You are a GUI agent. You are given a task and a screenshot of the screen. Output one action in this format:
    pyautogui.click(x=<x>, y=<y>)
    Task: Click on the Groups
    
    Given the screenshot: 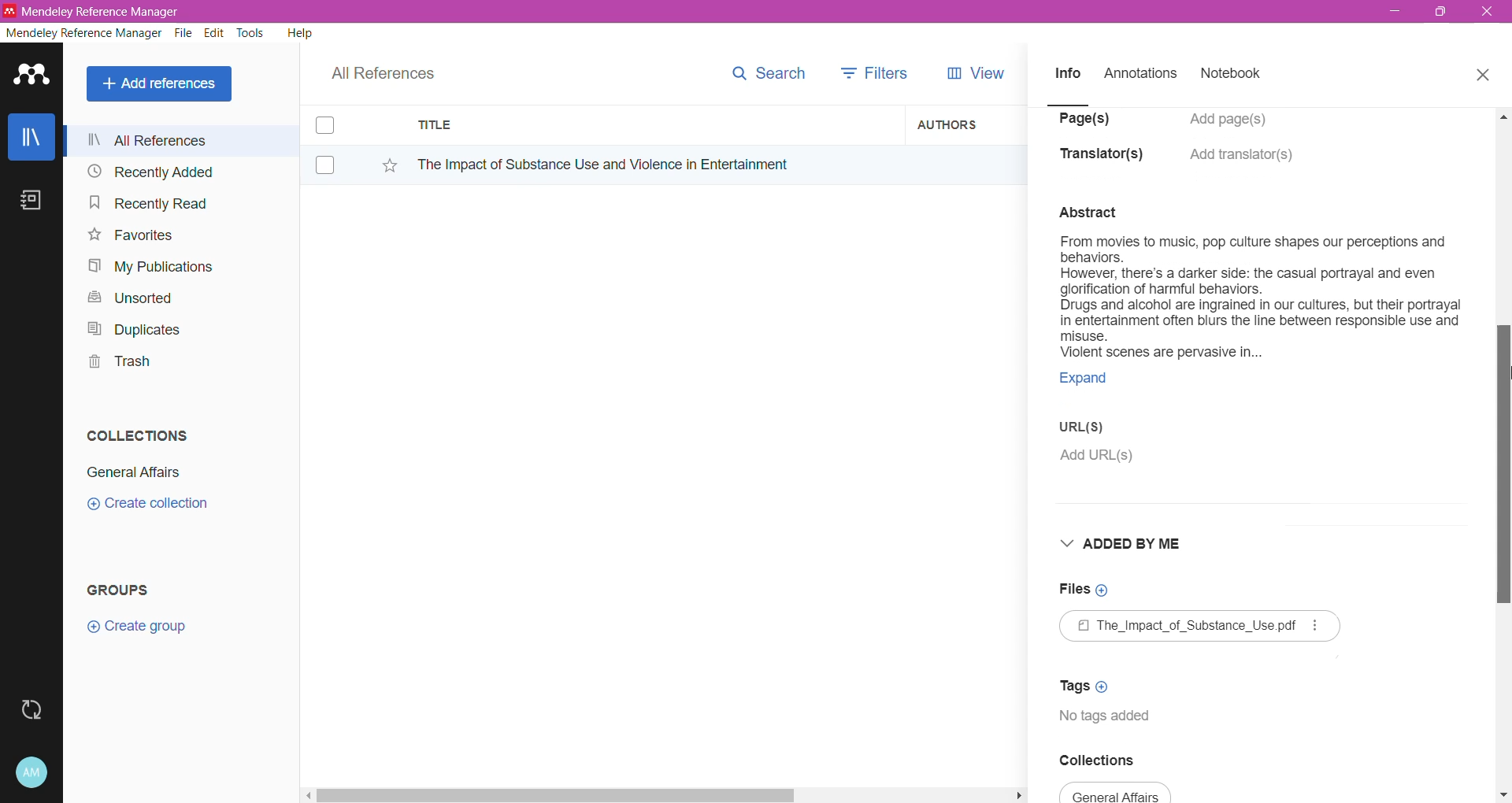 What is the action you would take?
    pyautogui.click(x=124, y=589)
    